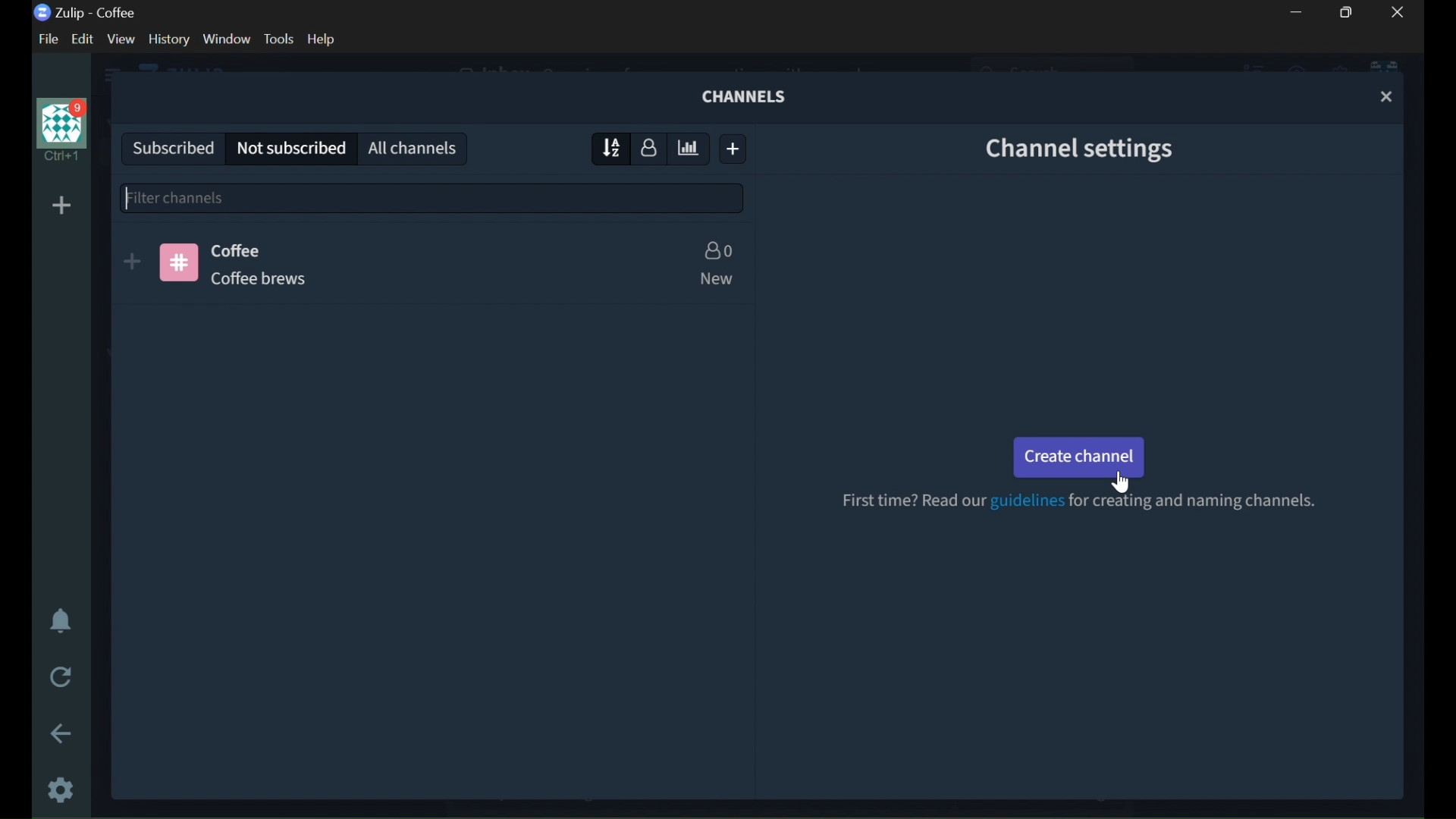 This screenshot has height=819, width=1456. I want to click on NEW, so click(714, 279).